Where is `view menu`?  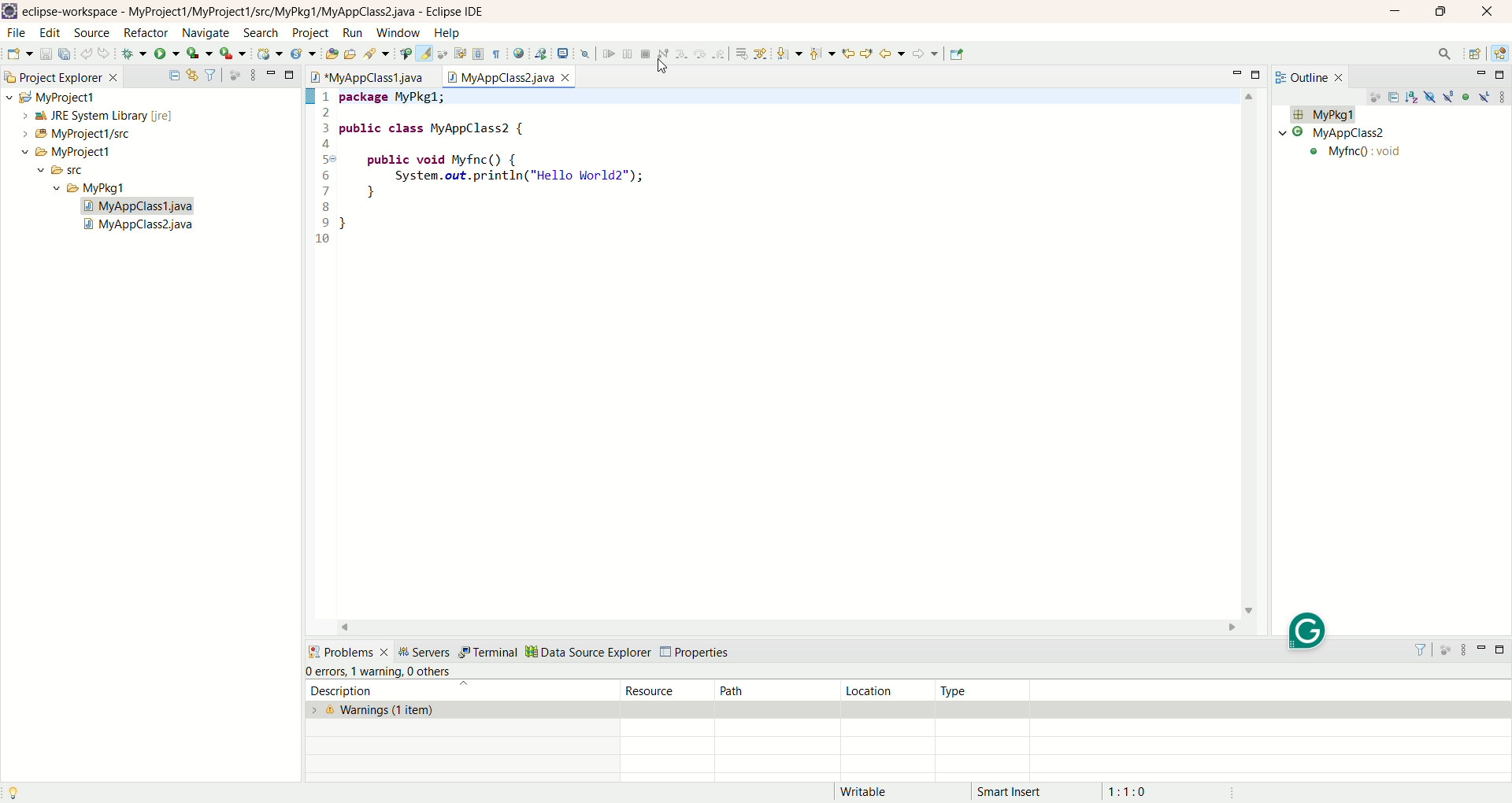
view menu is located at coordinates (1502, 96).